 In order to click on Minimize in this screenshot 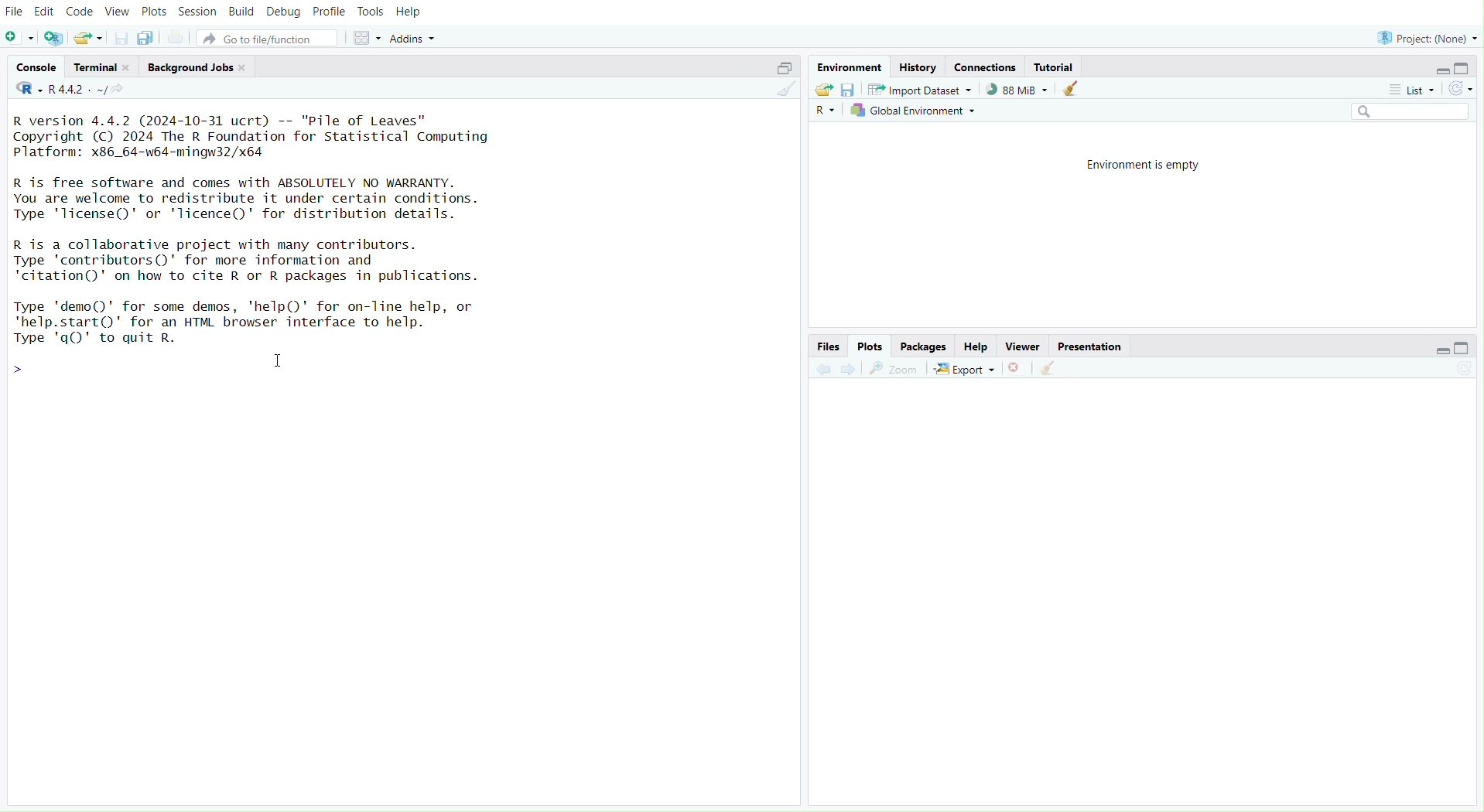, I will do `click(1442, 70)`.